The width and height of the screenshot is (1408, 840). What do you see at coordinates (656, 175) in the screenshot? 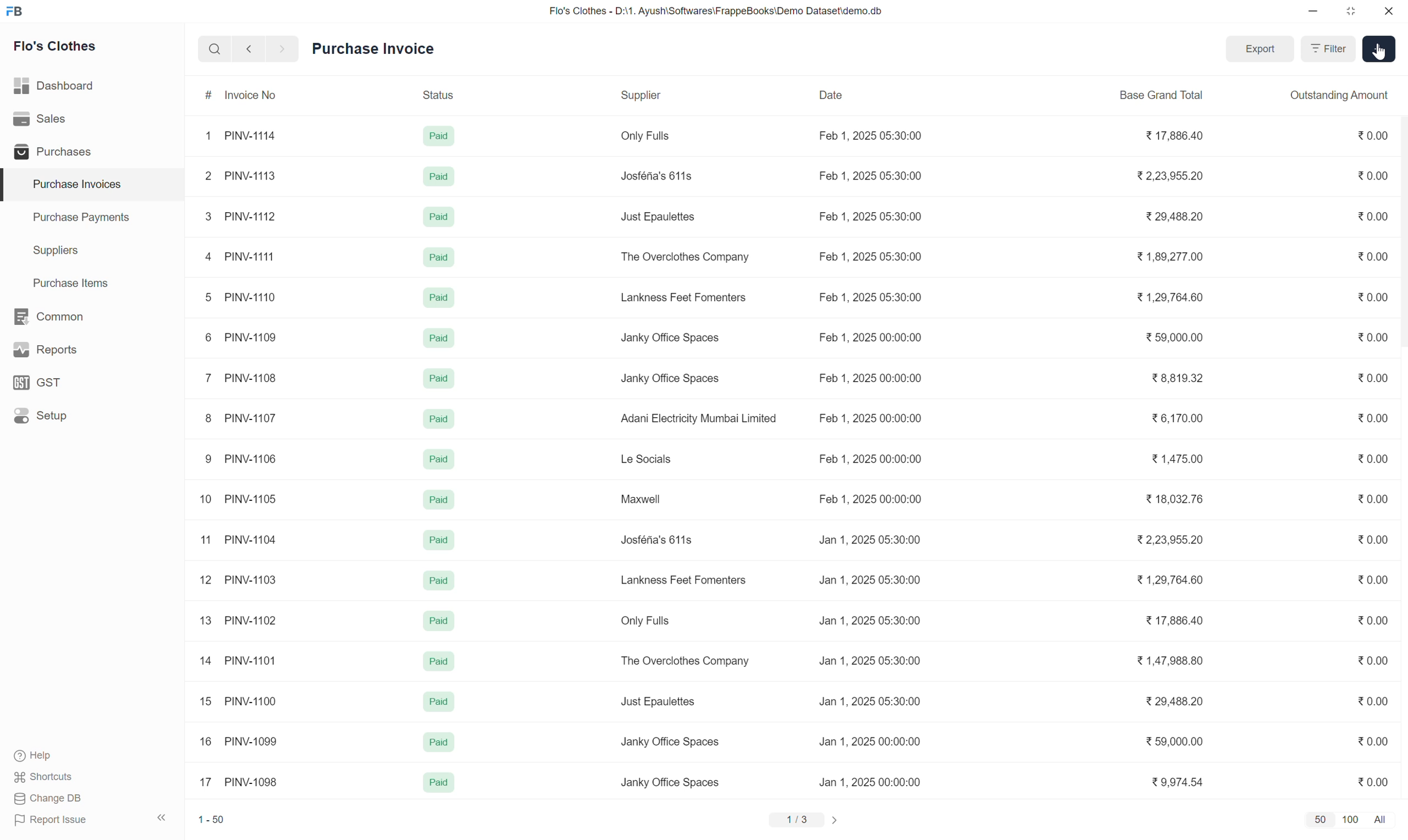
I see `Josféna's 611s` at bounding box center [656, 175].